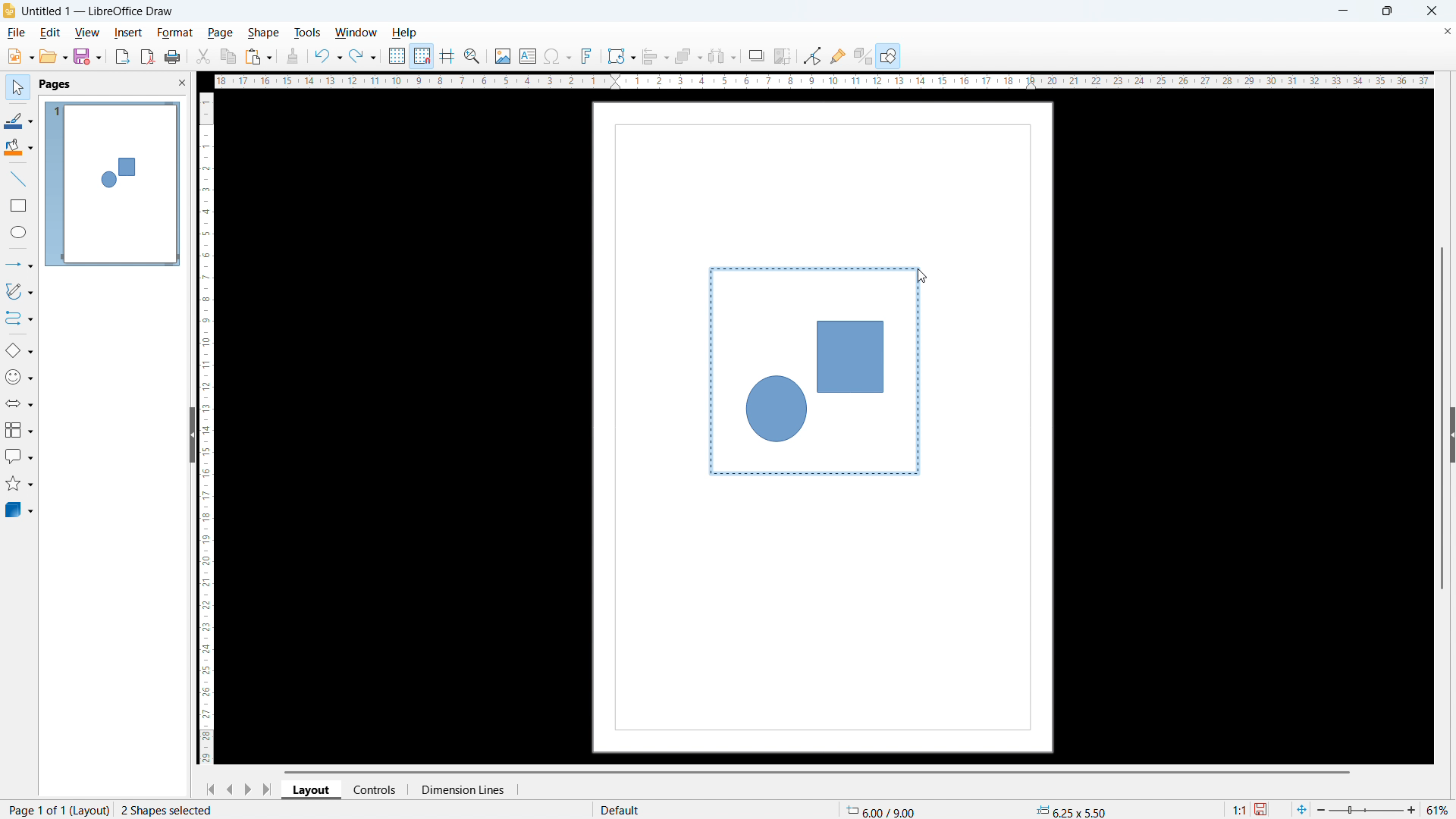  I want to click on zoom slider, so click(1369, 810).